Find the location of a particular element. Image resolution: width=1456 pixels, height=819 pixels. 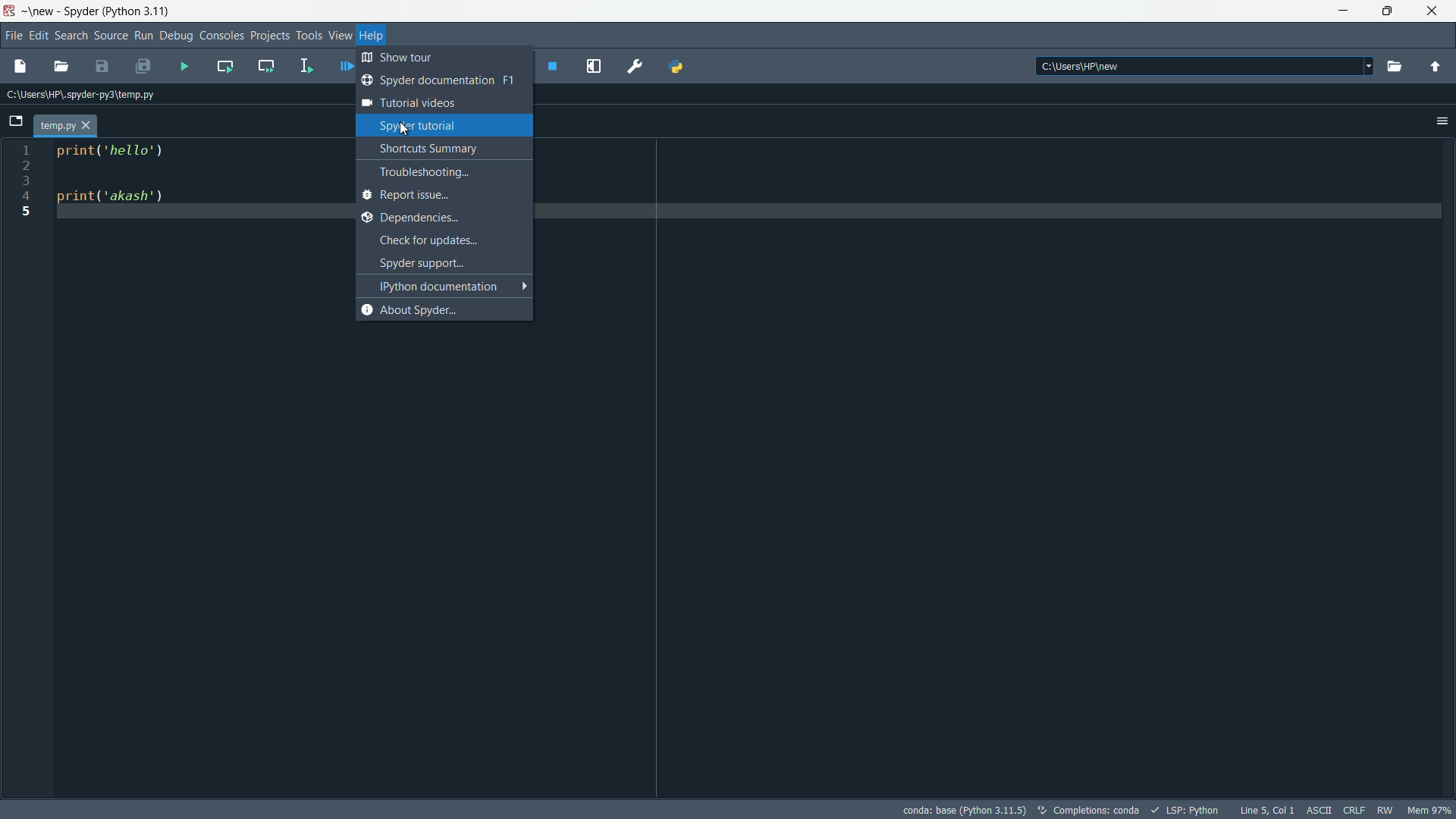

file menu is located at coordinates (15, 34).